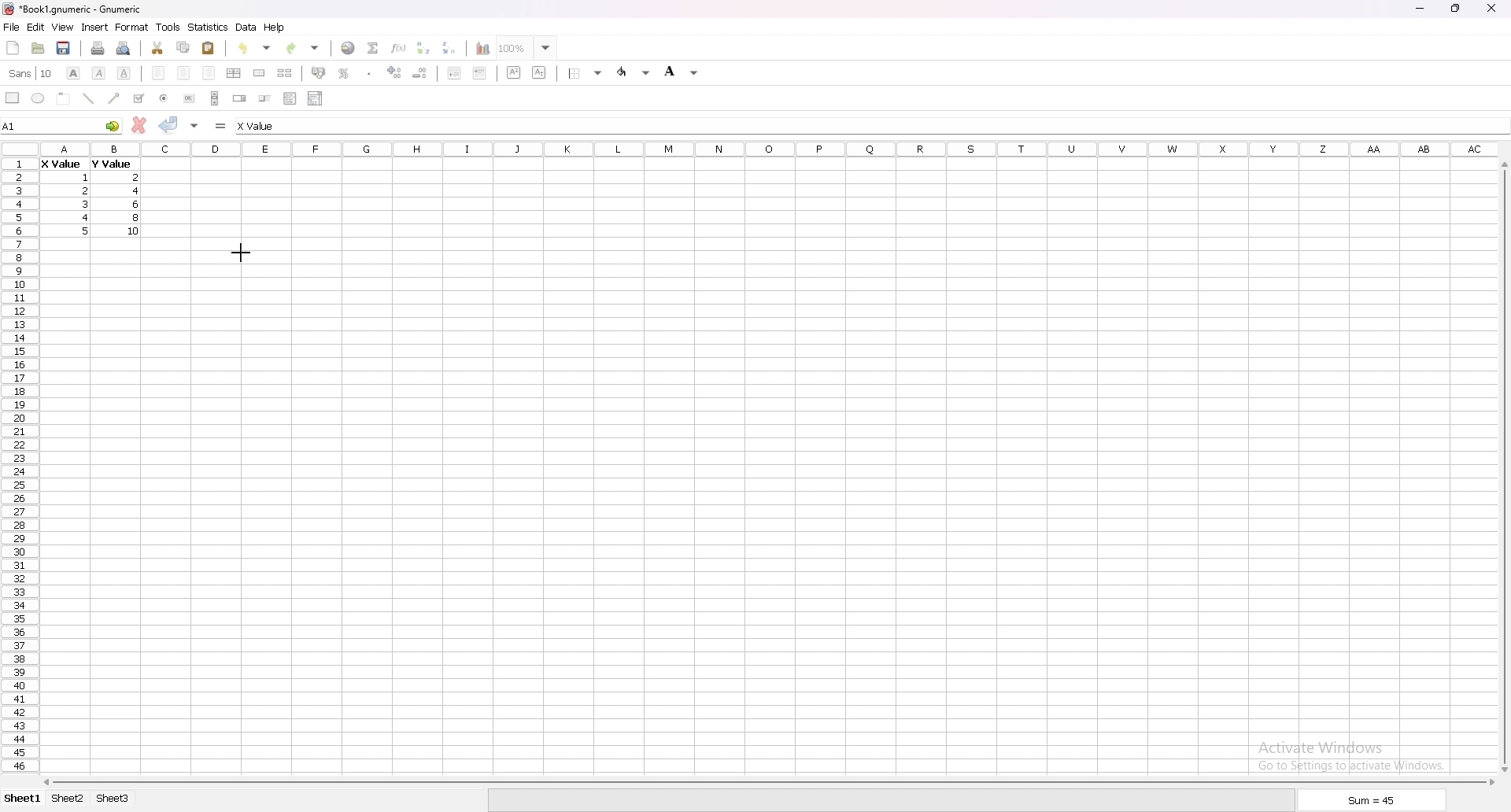 The height and width of the screenshot is (812, 1511). Describe the element at coordinates (132, 27) in the screenshot. I see `format` at that location.